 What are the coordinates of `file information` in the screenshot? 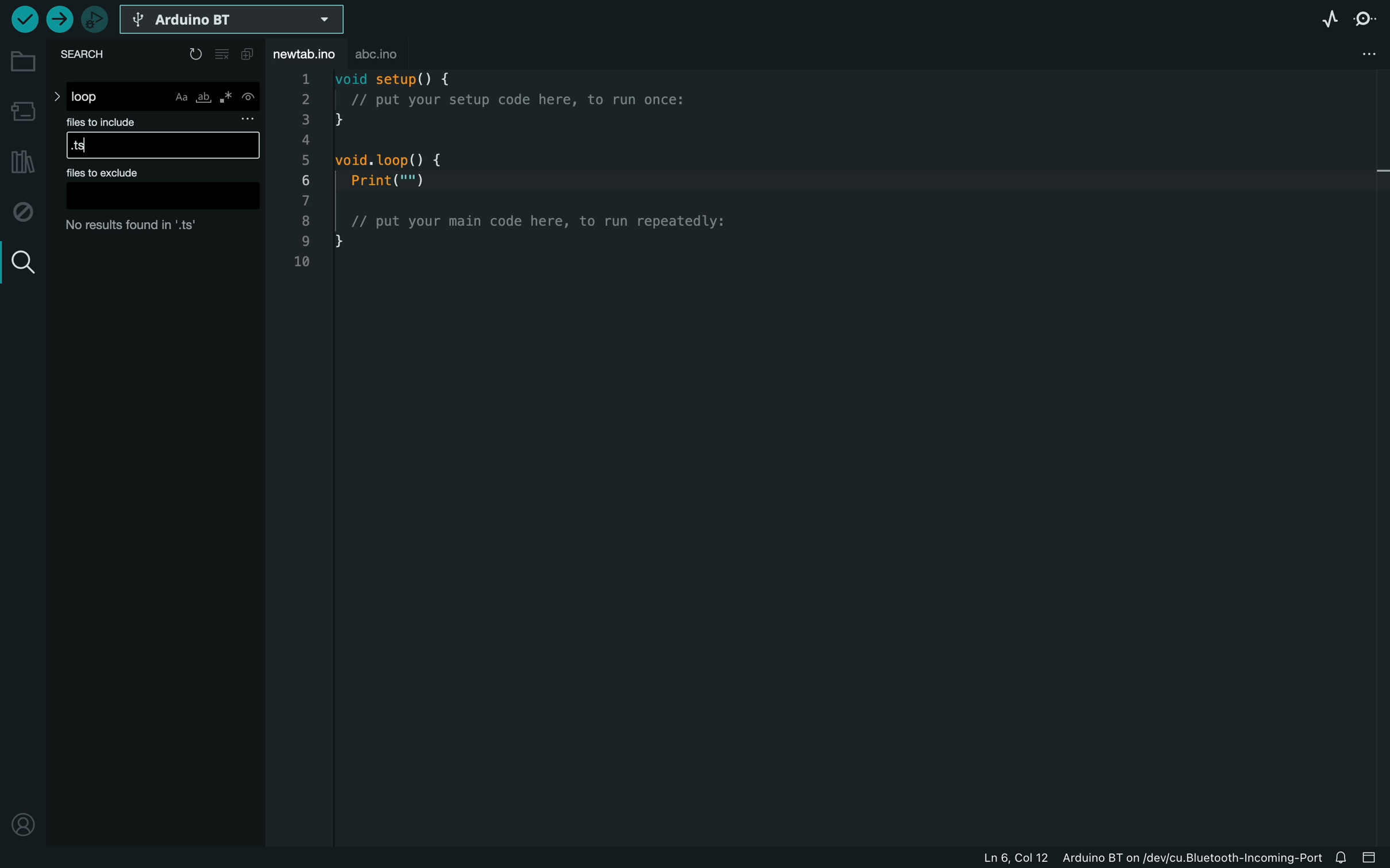 It's located at (1094, 856).